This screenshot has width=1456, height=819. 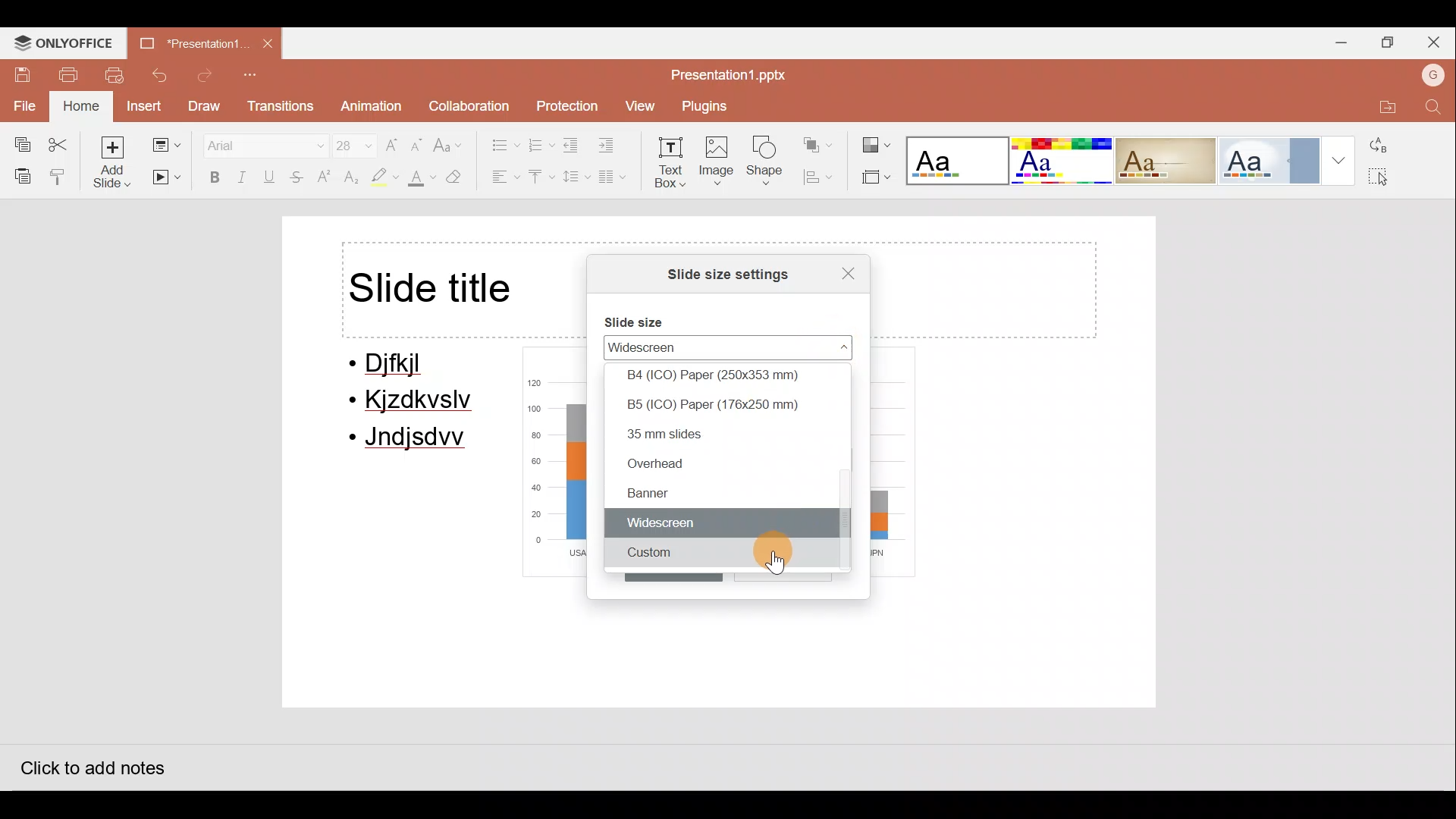 I want to click on Decrease font size, so click(x=419, y=140).